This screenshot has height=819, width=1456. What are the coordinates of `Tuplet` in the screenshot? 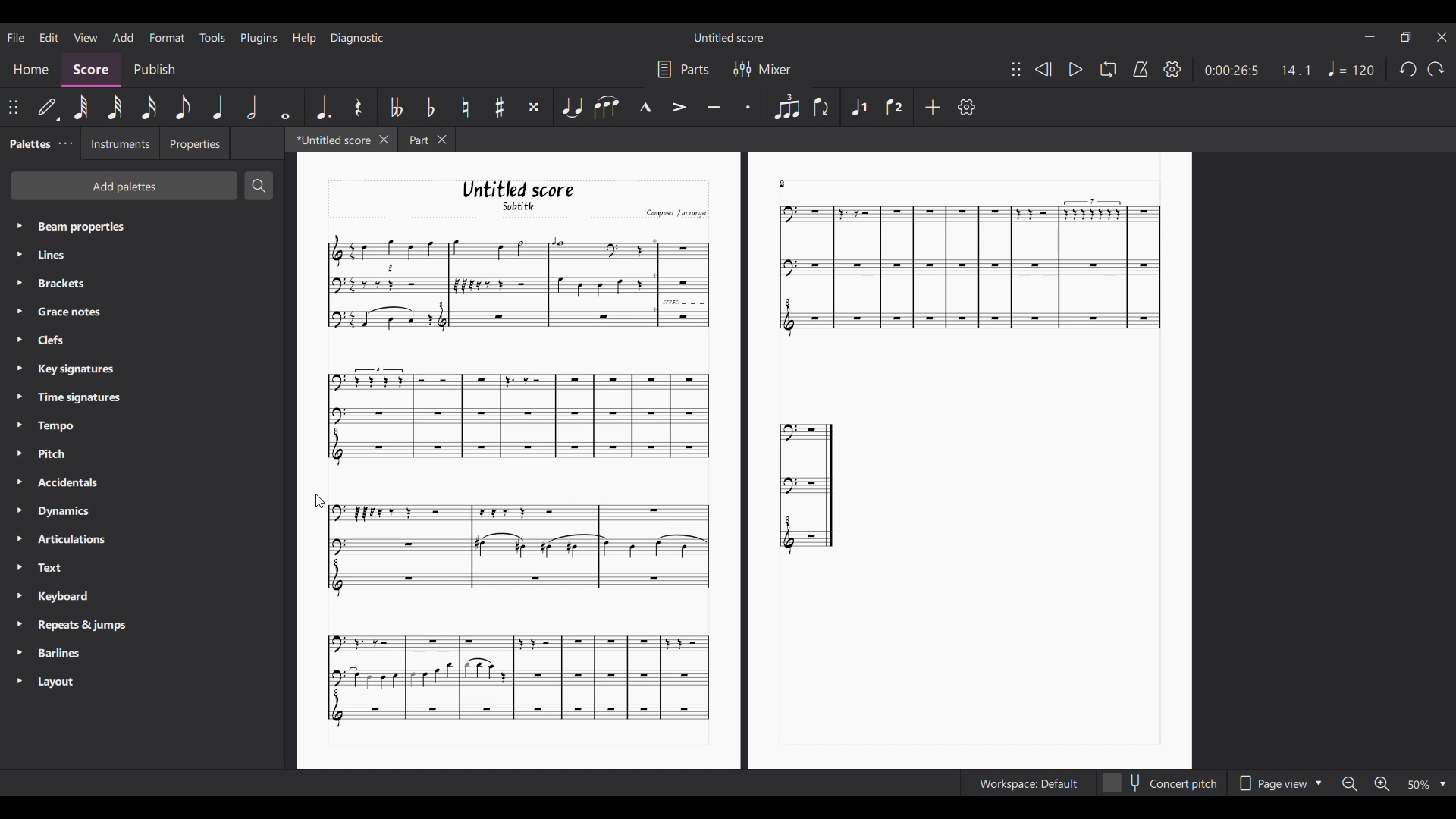 It's located at (786, 106).